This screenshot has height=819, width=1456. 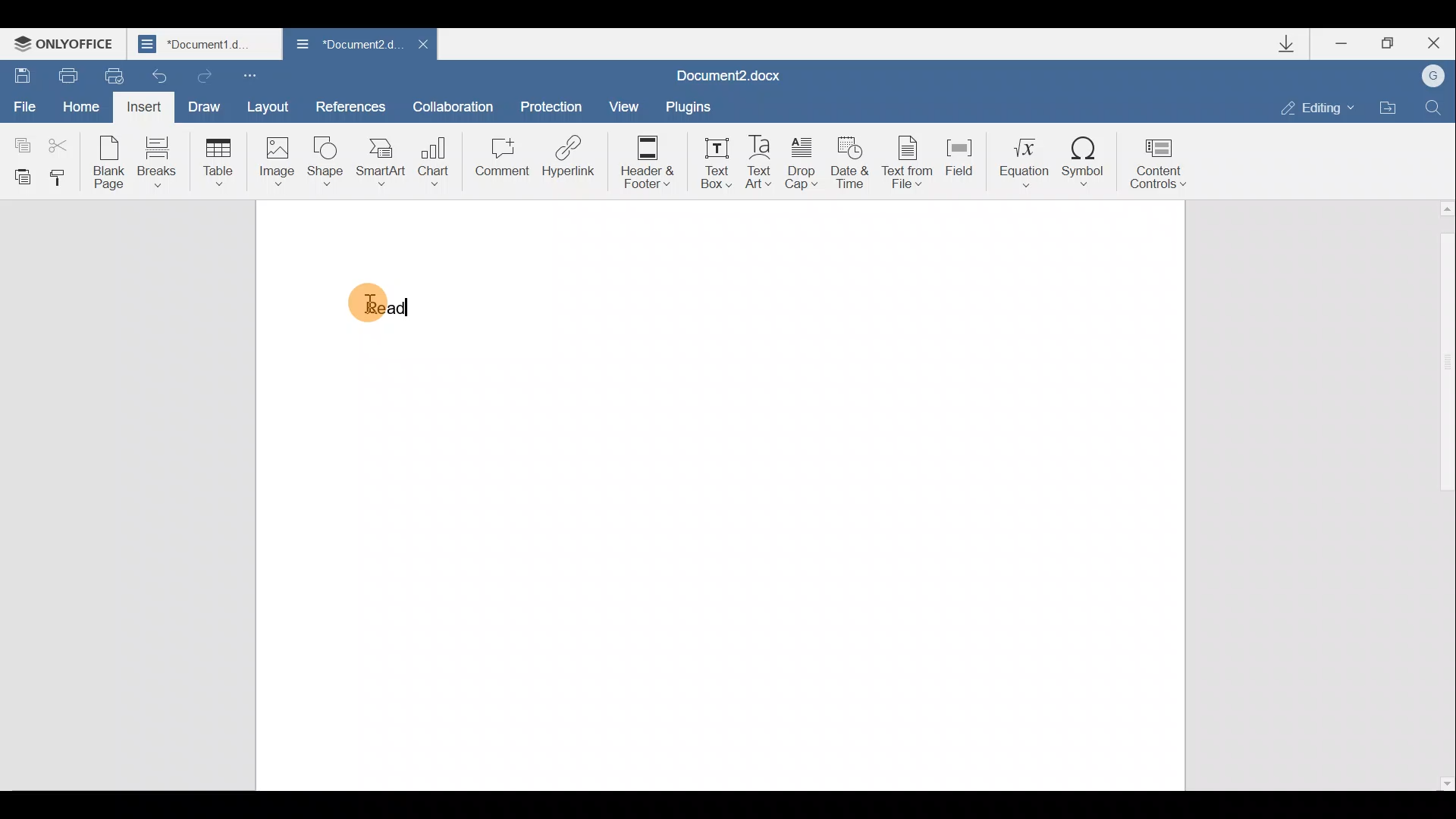 What do you see at coordinates (729, 75) in the screenshot?
I see `Document2.docx` at bounding box center [729, 75].